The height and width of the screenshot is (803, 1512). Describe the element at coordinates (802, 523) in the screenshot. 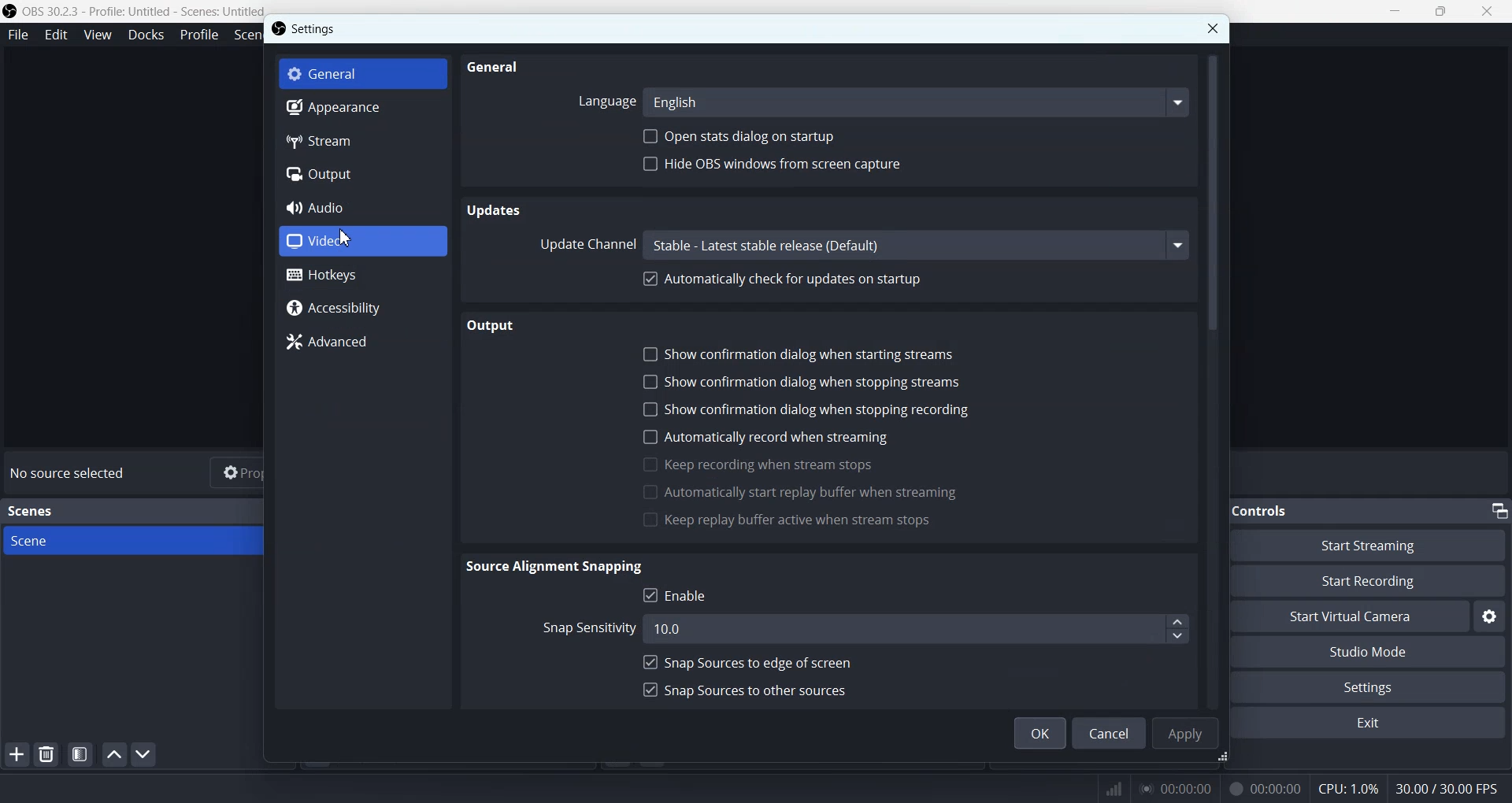

I see `Keep replay buffer active when stream stops` at that location.